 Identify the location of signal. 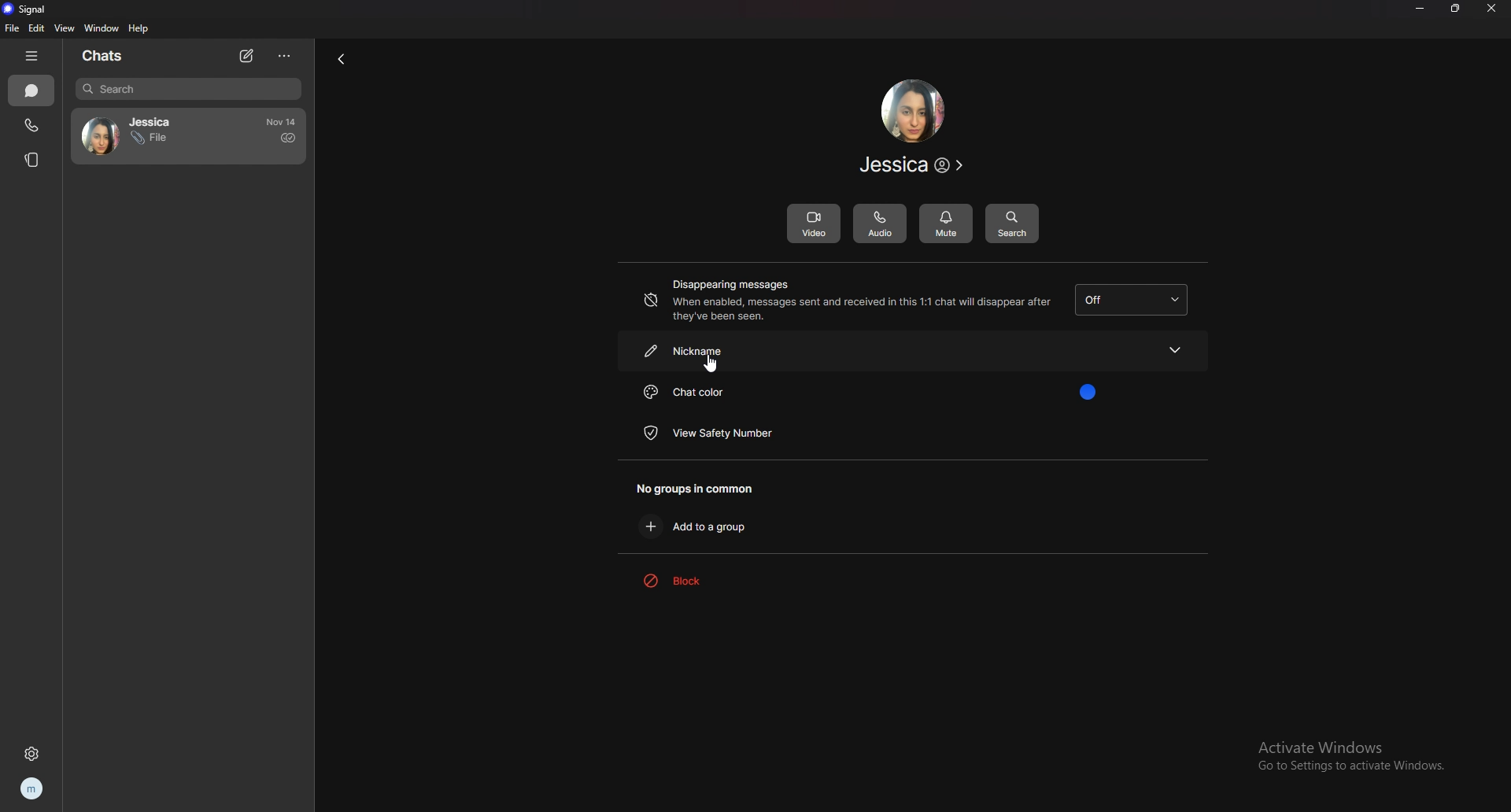
(26, 9).